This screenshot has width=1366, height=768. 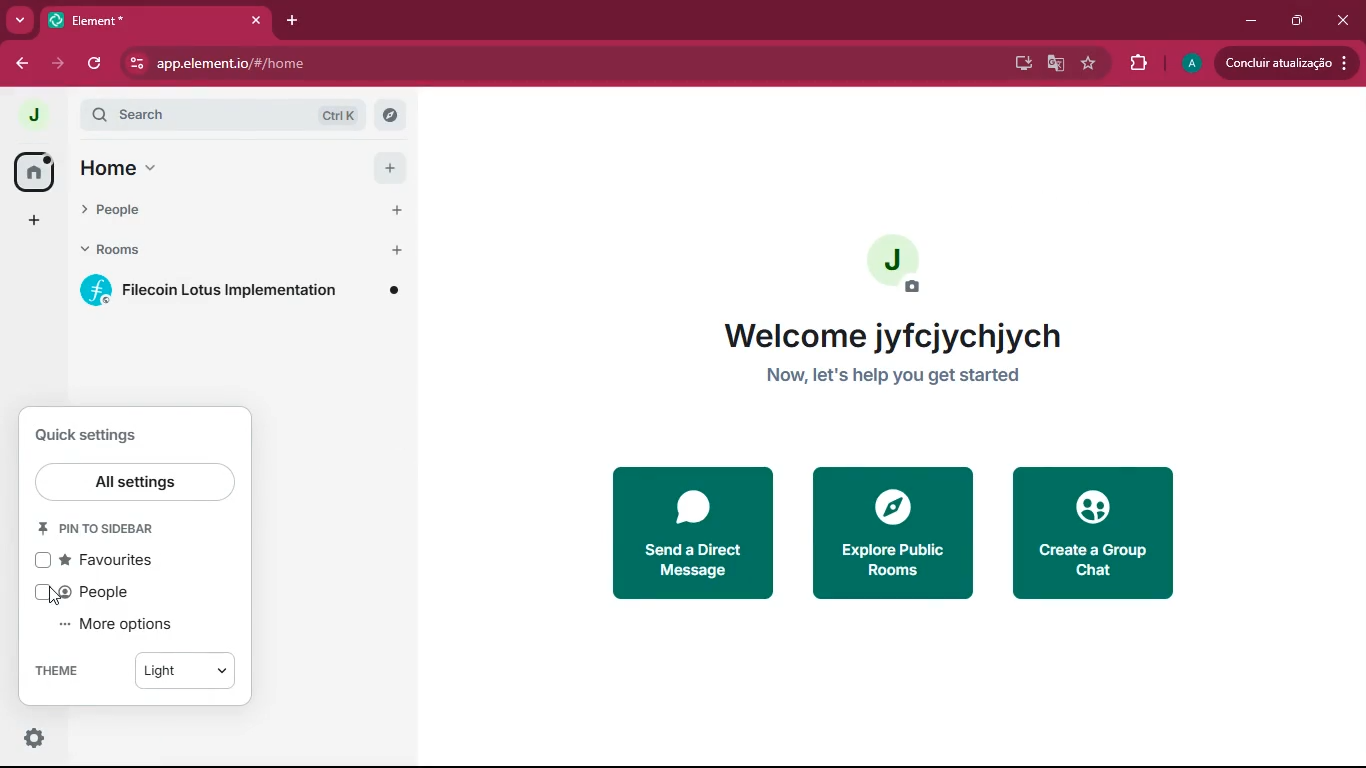 I want to click on create, so click(x=1095, y=534).